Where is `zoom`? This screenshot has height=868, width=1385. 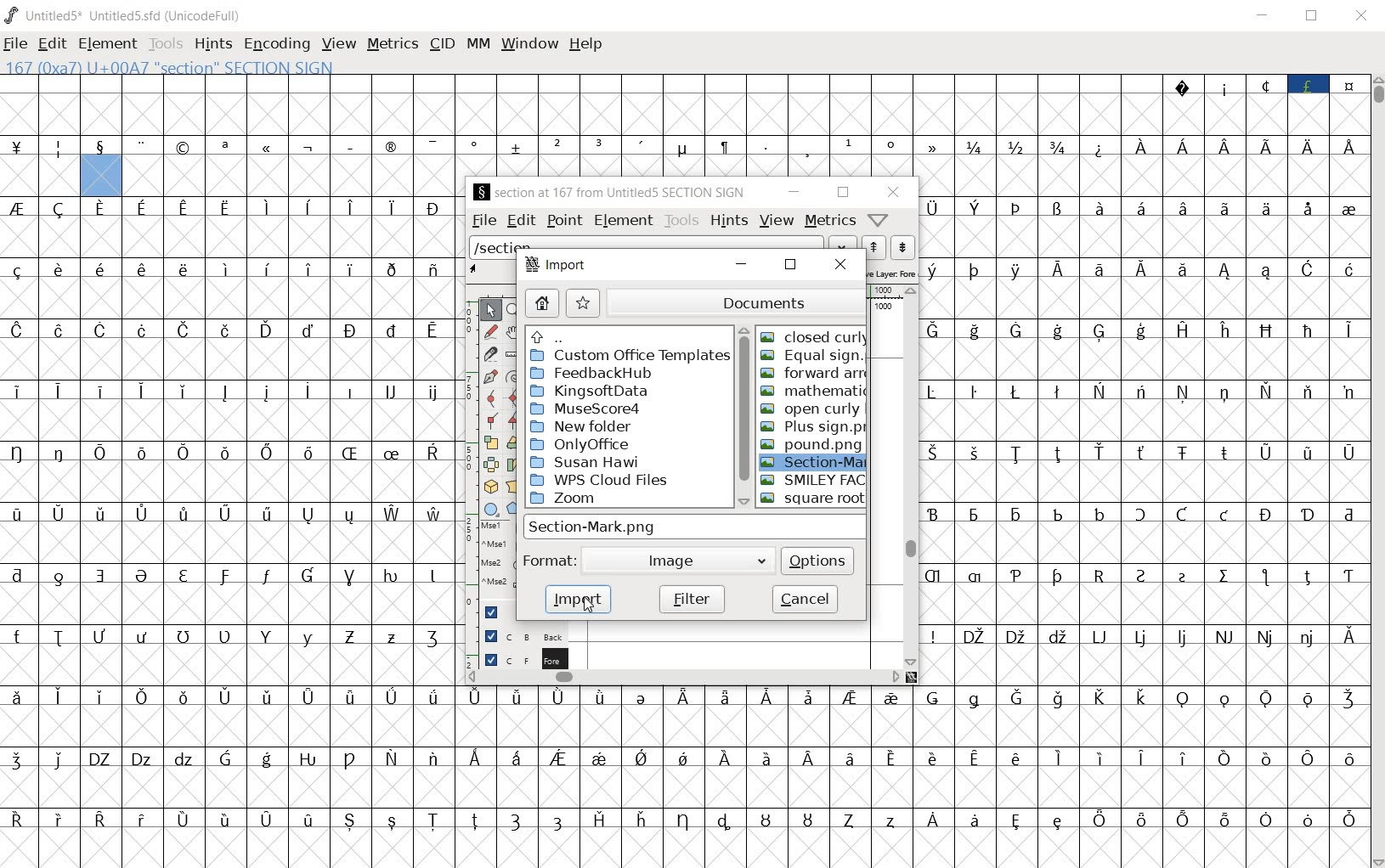
zoom is located at coordinates (568, 499).